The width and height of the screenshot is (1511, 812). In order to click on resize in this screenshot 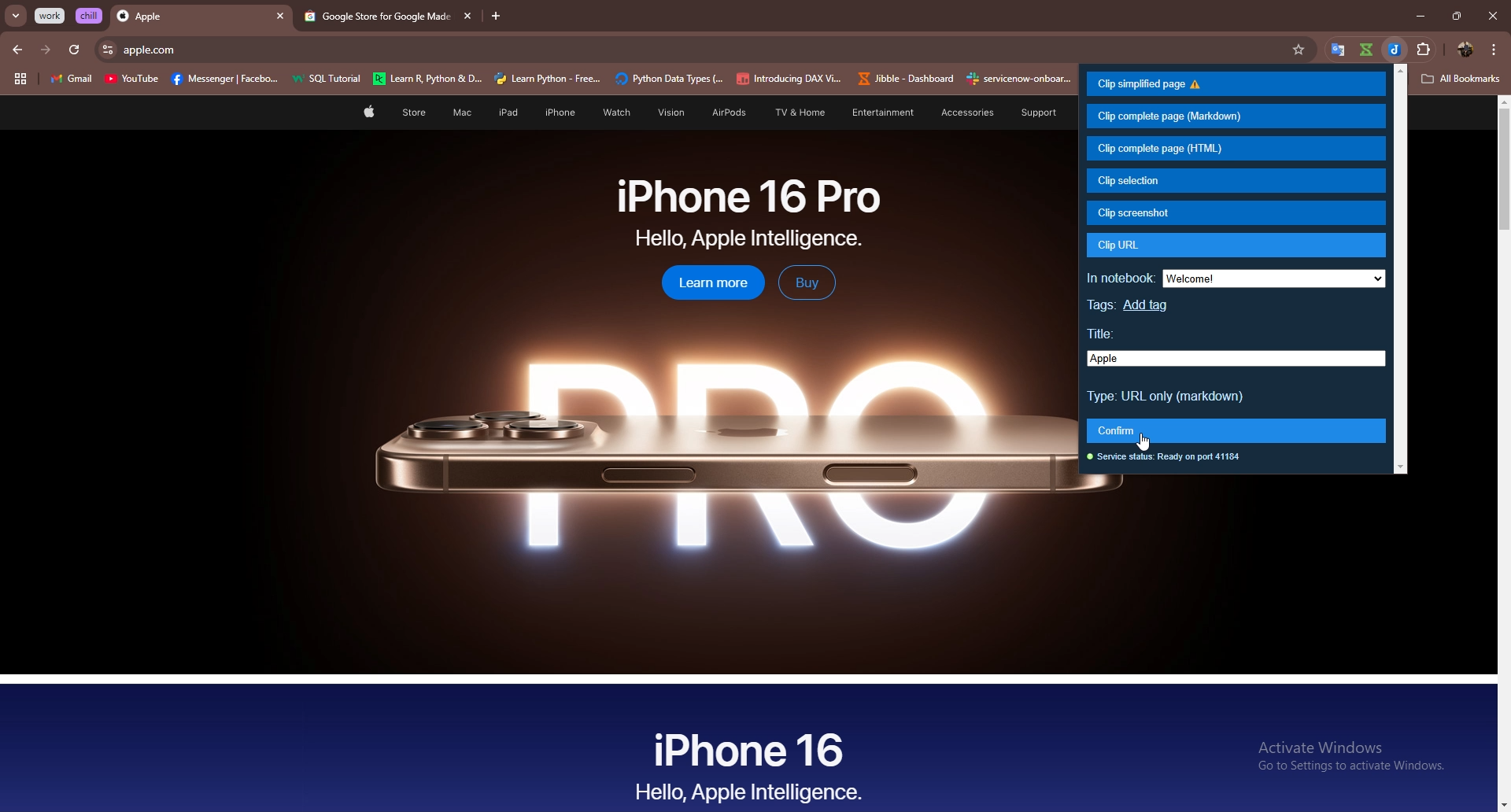, I will do `click(1456, 16)`.